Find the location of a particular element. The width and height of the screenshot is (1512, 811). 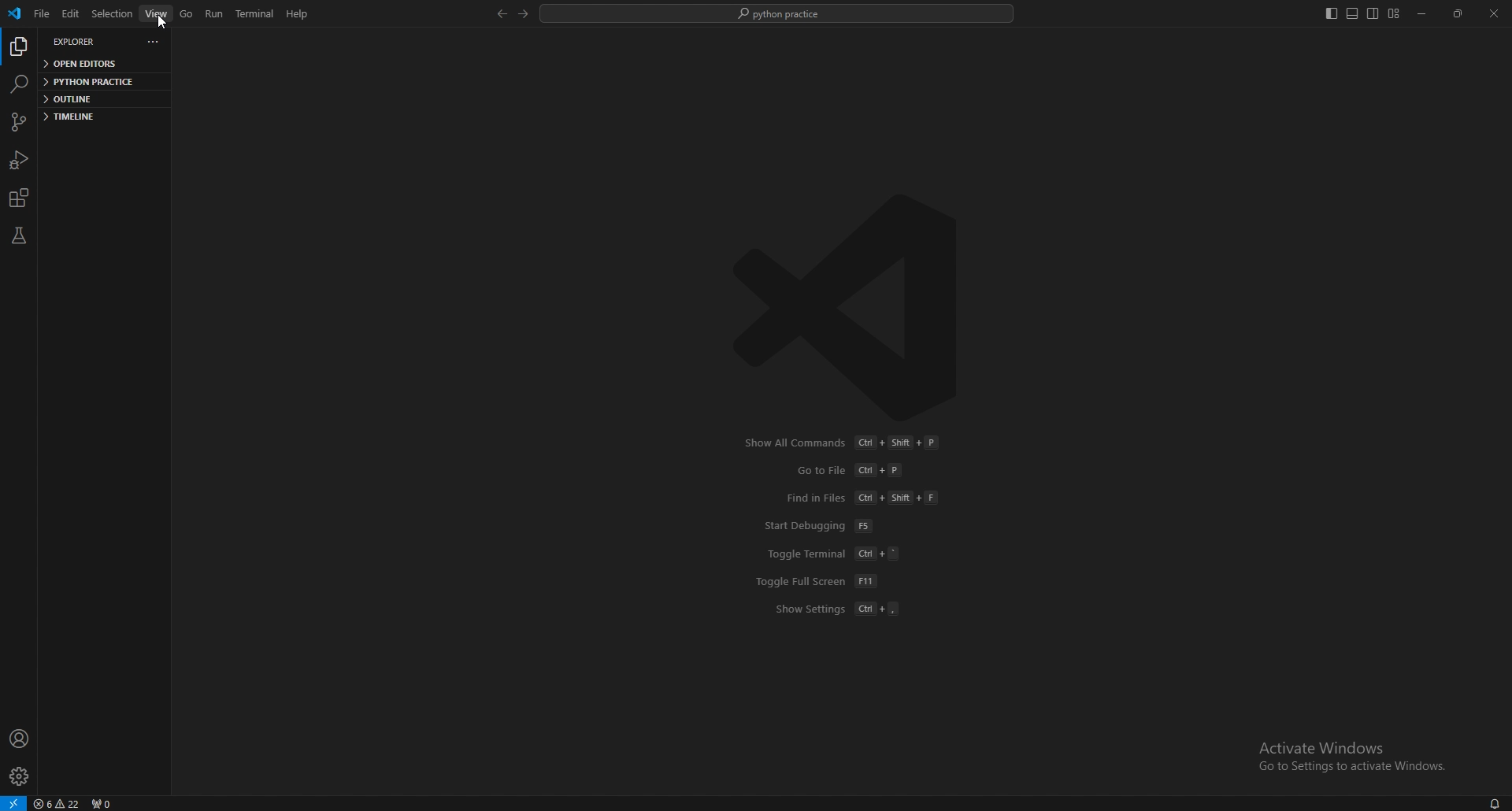

testing is located at coordinates (18, 236).